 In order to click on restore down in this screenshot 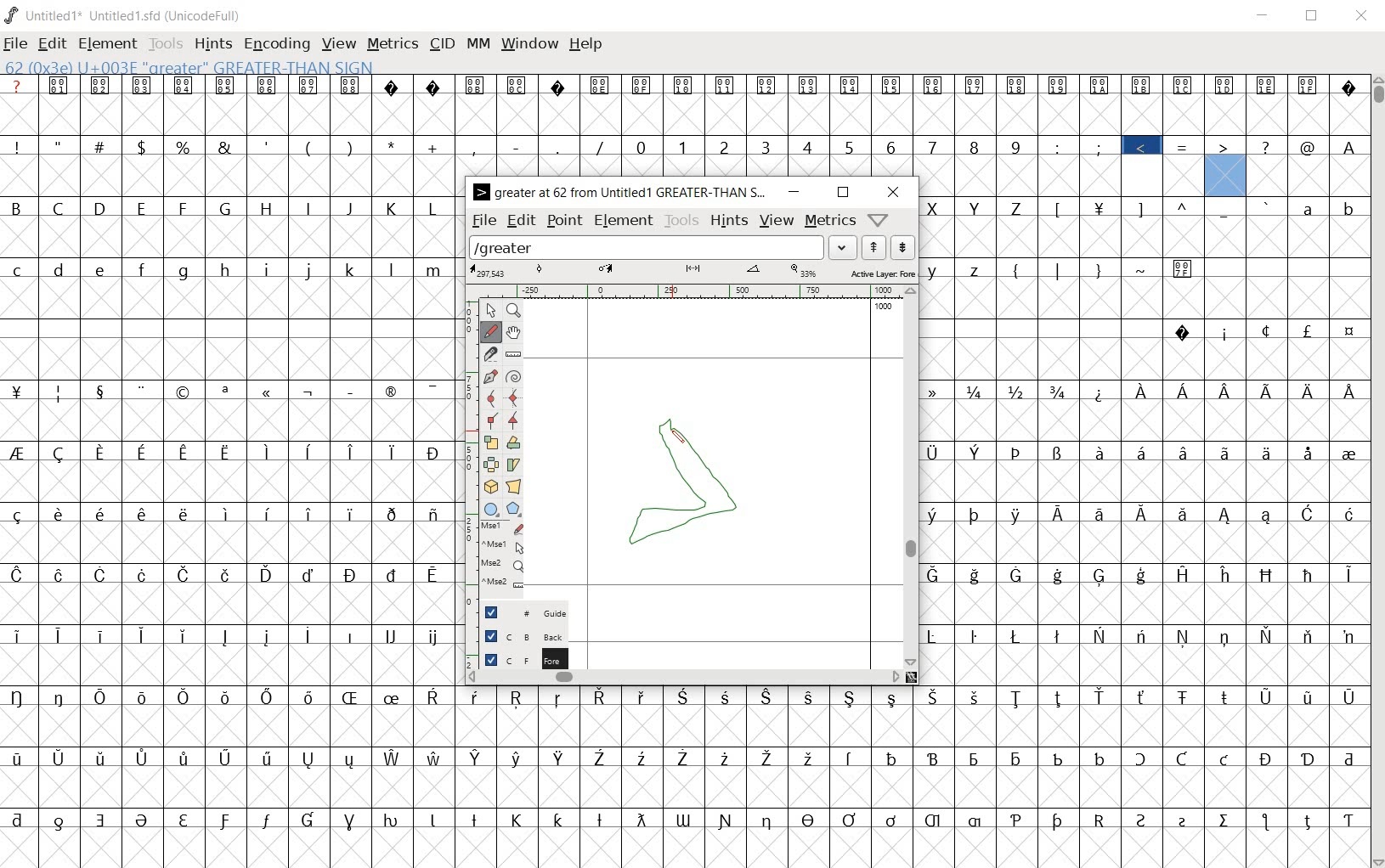, I will do `click(1313, 15)`.